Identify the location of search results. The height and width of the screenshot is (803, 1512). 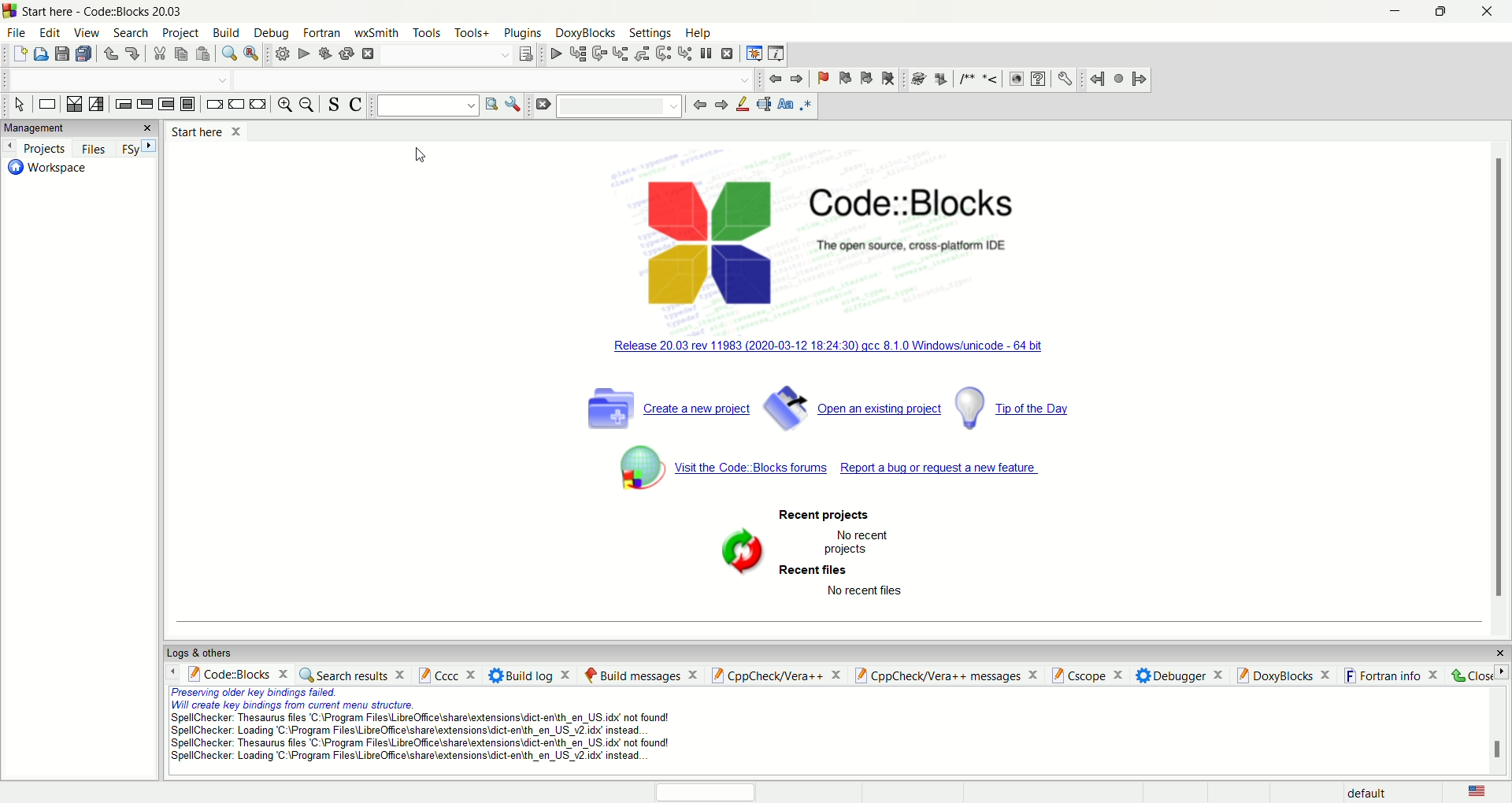
(352, 676).